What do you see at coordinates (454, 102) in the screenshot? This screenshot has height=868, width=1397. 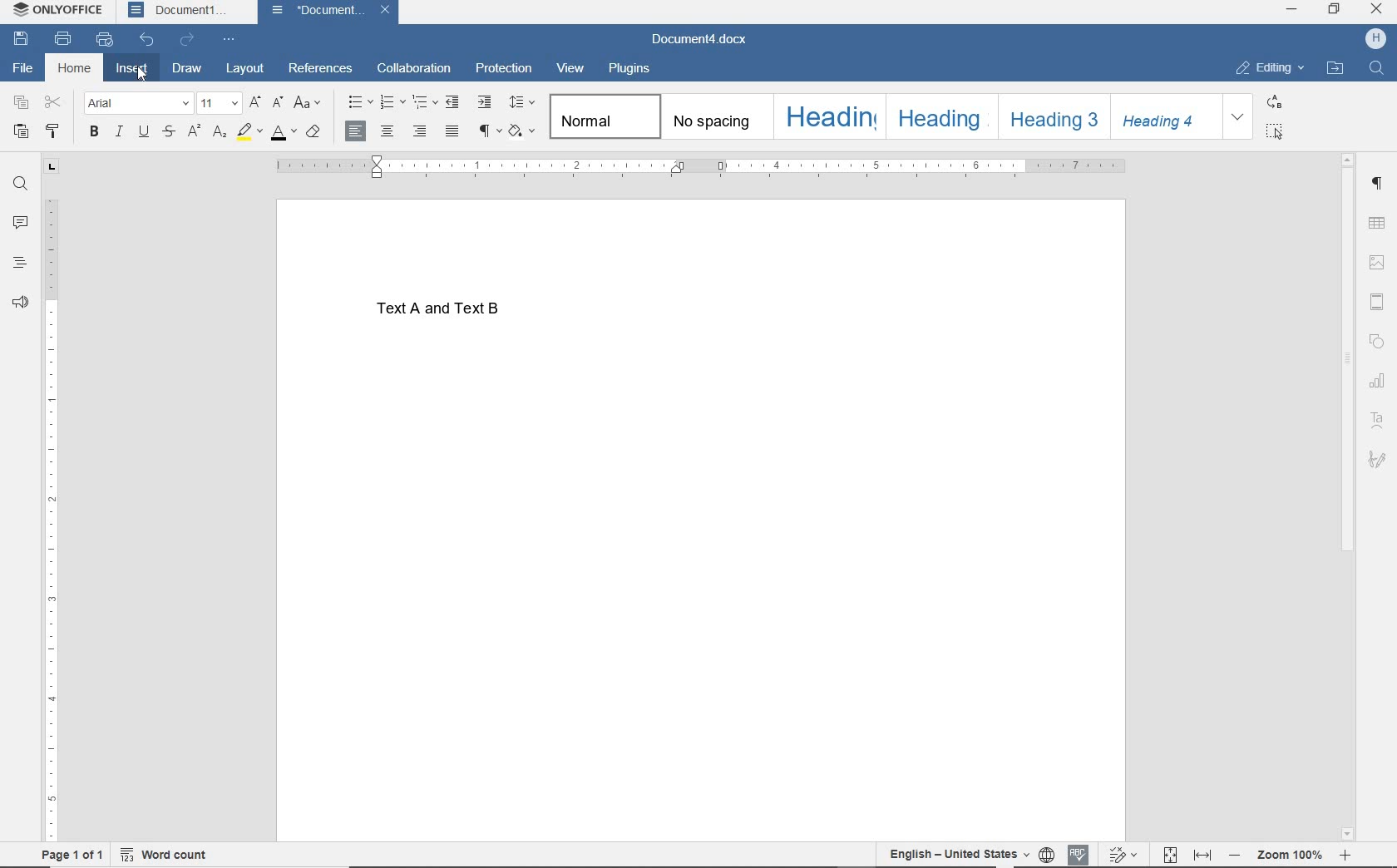 I see `DECREASE INDENT` at bounding box center [454, 102].